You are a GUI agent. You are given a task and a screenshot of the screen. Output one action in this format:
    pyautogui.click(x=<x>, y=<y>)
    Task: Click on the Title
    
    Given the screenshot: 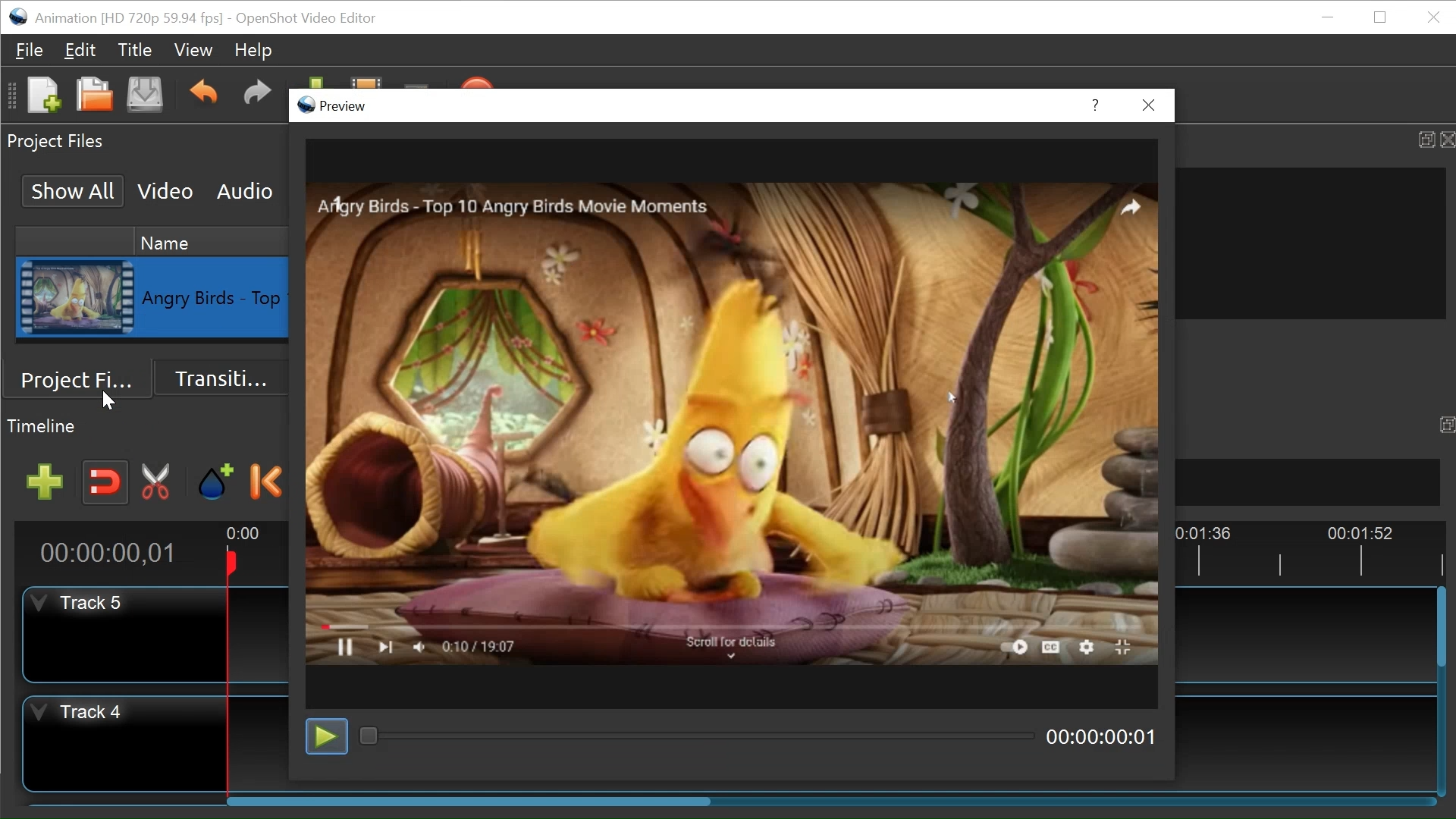 What is the action you would take?
    pyautogui.click(x=135, y=52)
    